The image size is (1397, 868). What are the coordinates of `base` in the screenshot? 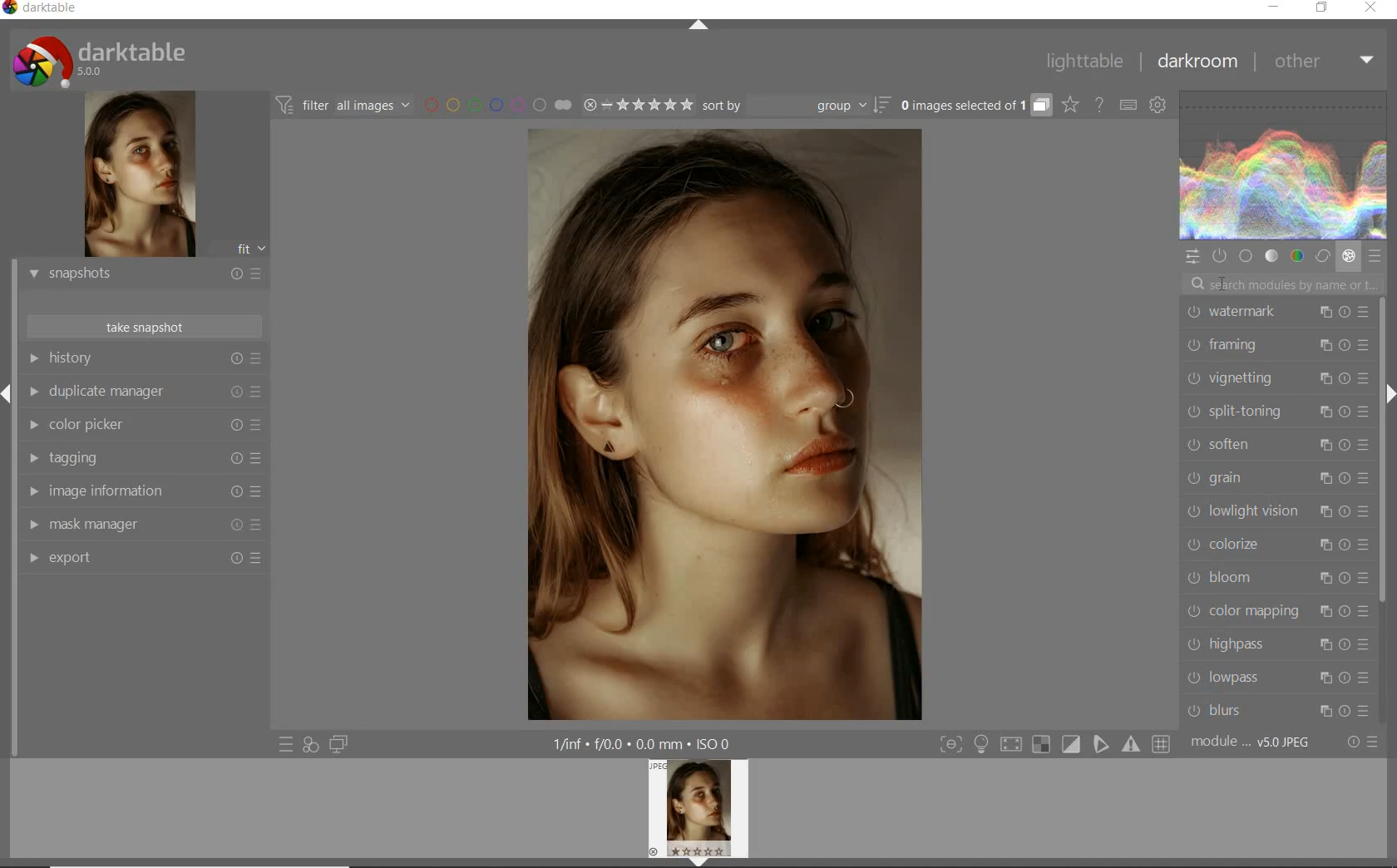 It's located at (1246, 256).